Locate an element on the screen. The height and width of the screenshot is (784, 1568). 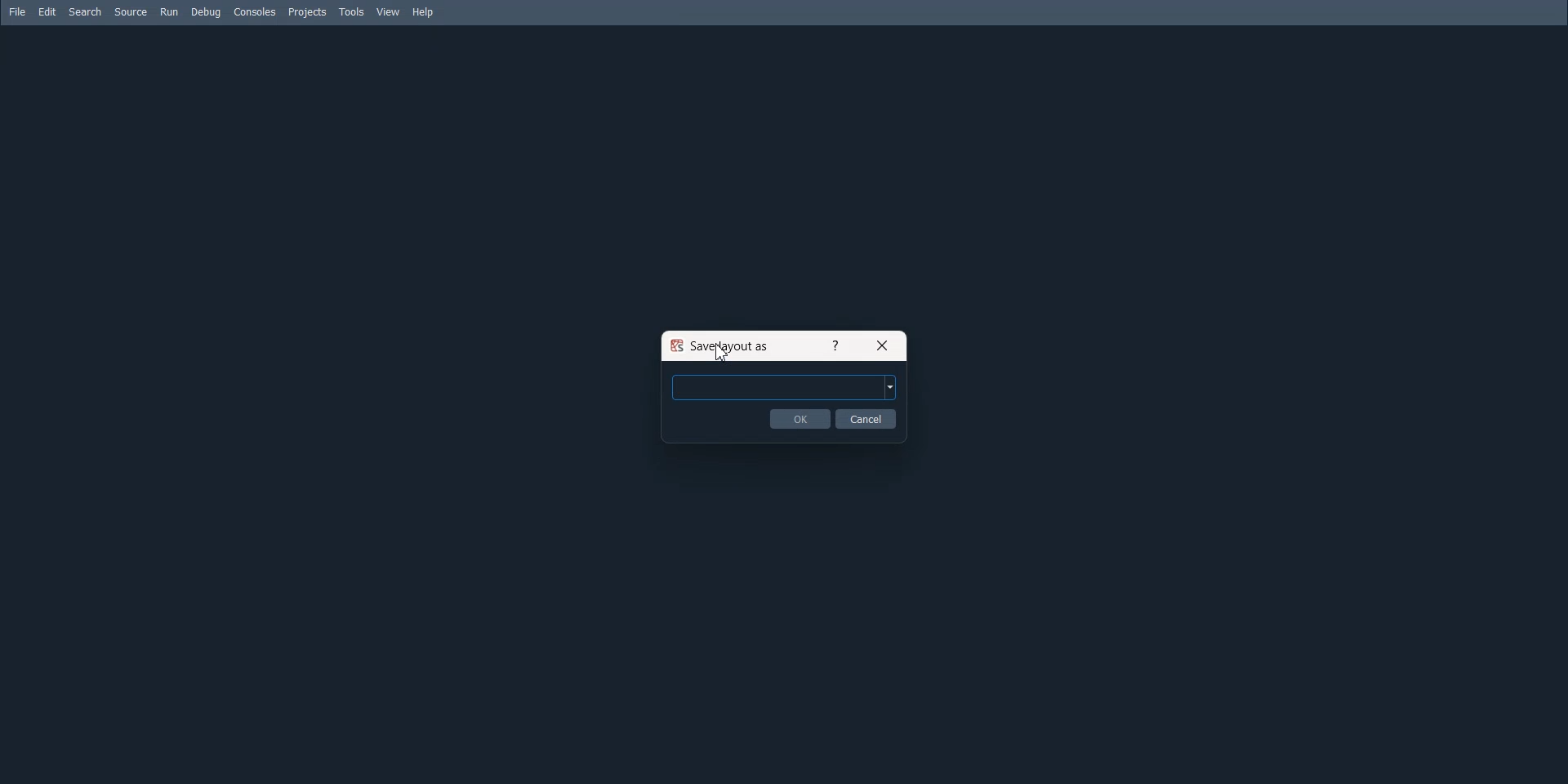
Help is located at coordinates (424, 13).